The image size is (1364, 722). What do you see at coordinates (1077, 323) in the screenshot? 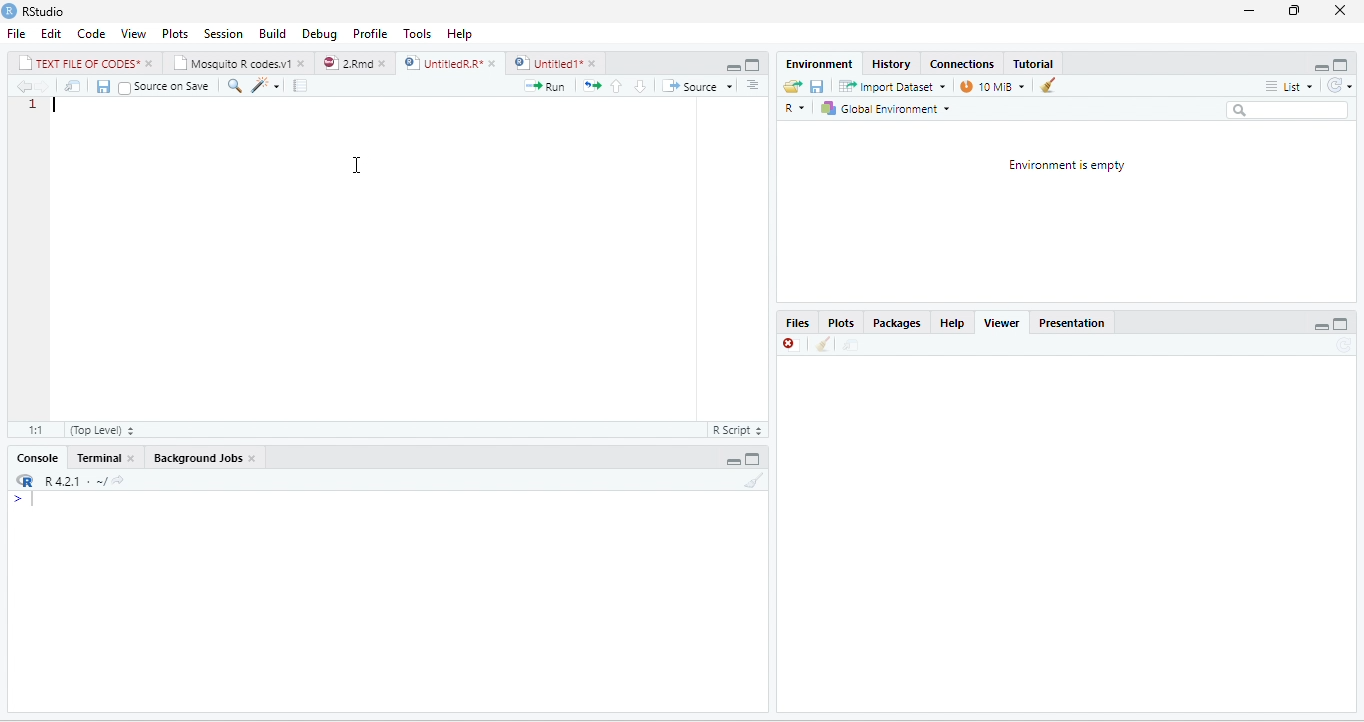
I see `Presentation` at bounding box center [1077, 323].